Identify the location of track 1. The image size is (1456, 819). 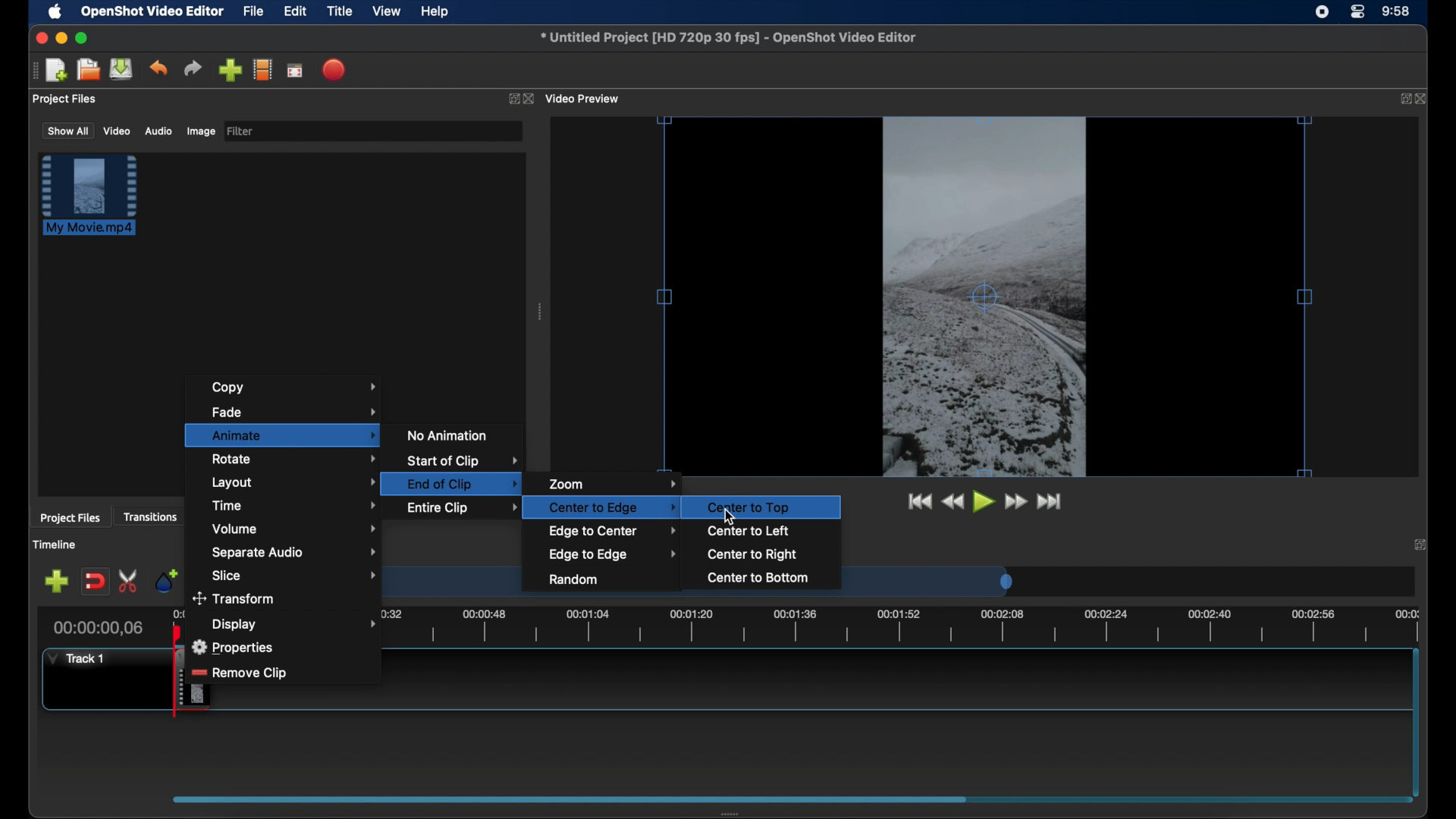
(80, 658).